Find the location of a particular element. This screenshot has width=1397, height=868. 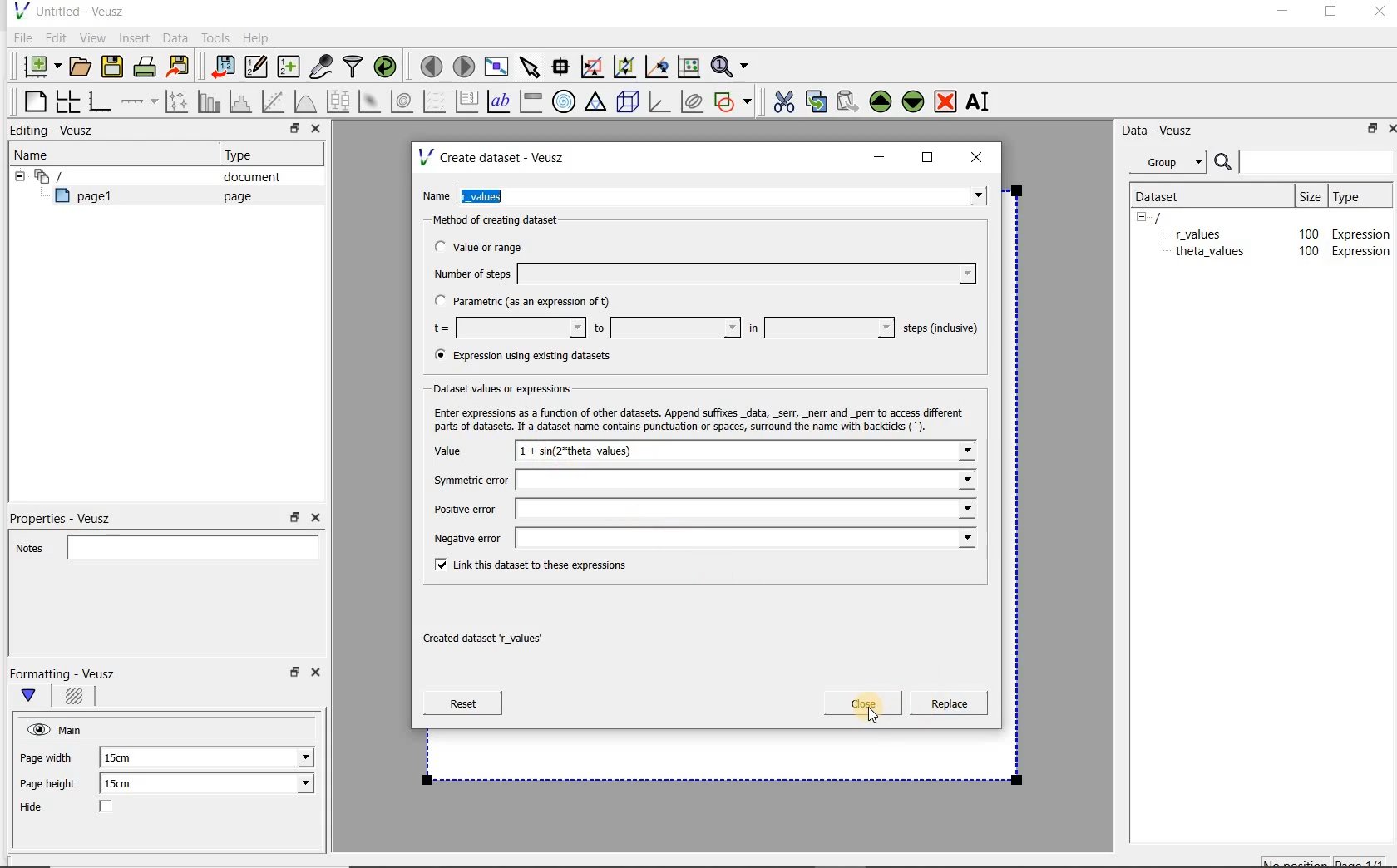

Document widget is located at coordinates (78, 176).